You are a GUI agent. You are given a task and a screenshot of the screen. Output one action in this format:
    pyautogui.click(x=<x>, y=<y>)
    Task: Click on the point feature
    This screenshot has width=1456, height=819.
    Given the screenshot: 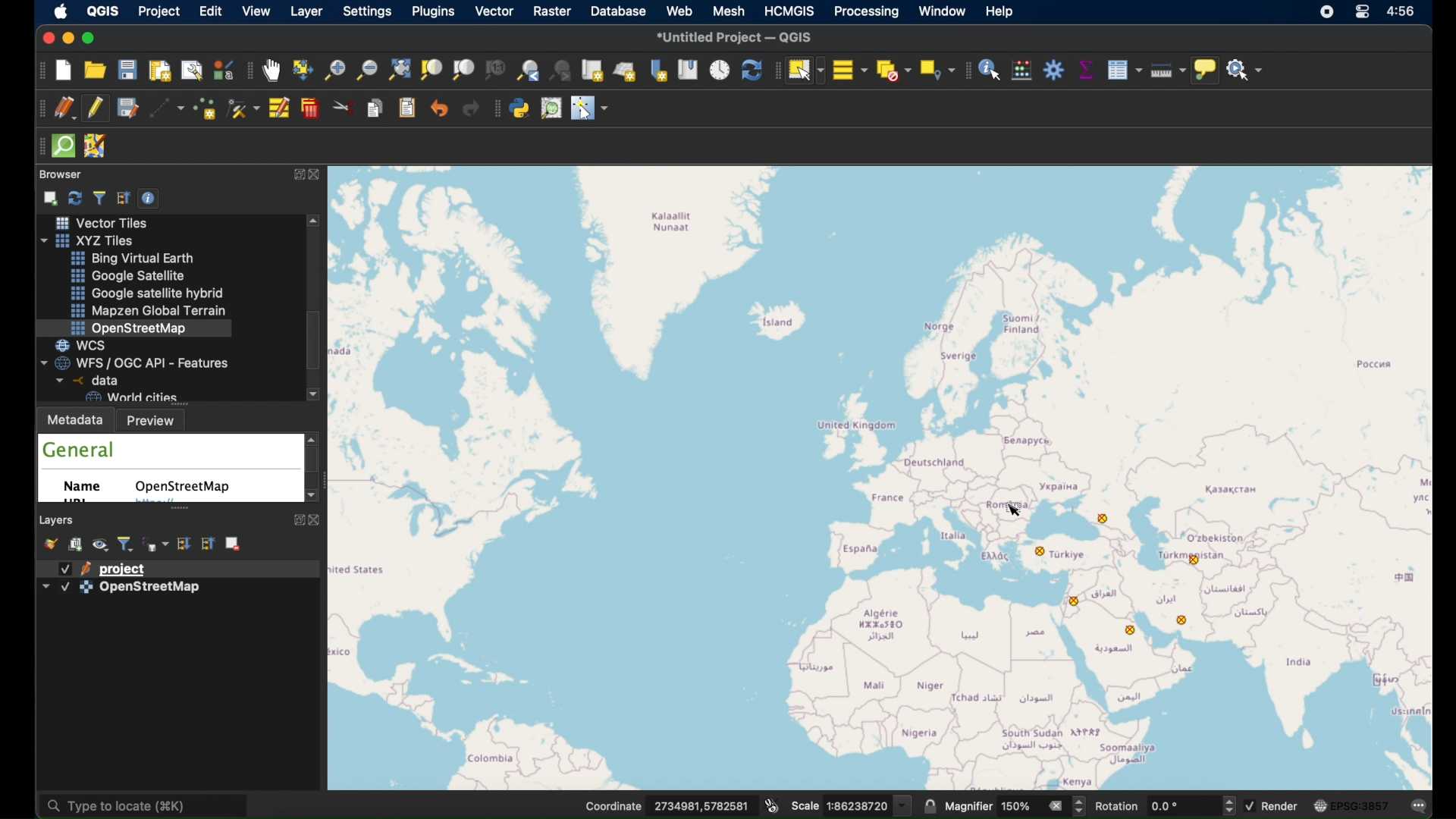 What is the action you would take?
    pyautogui.click(x=1129, y=631)
    